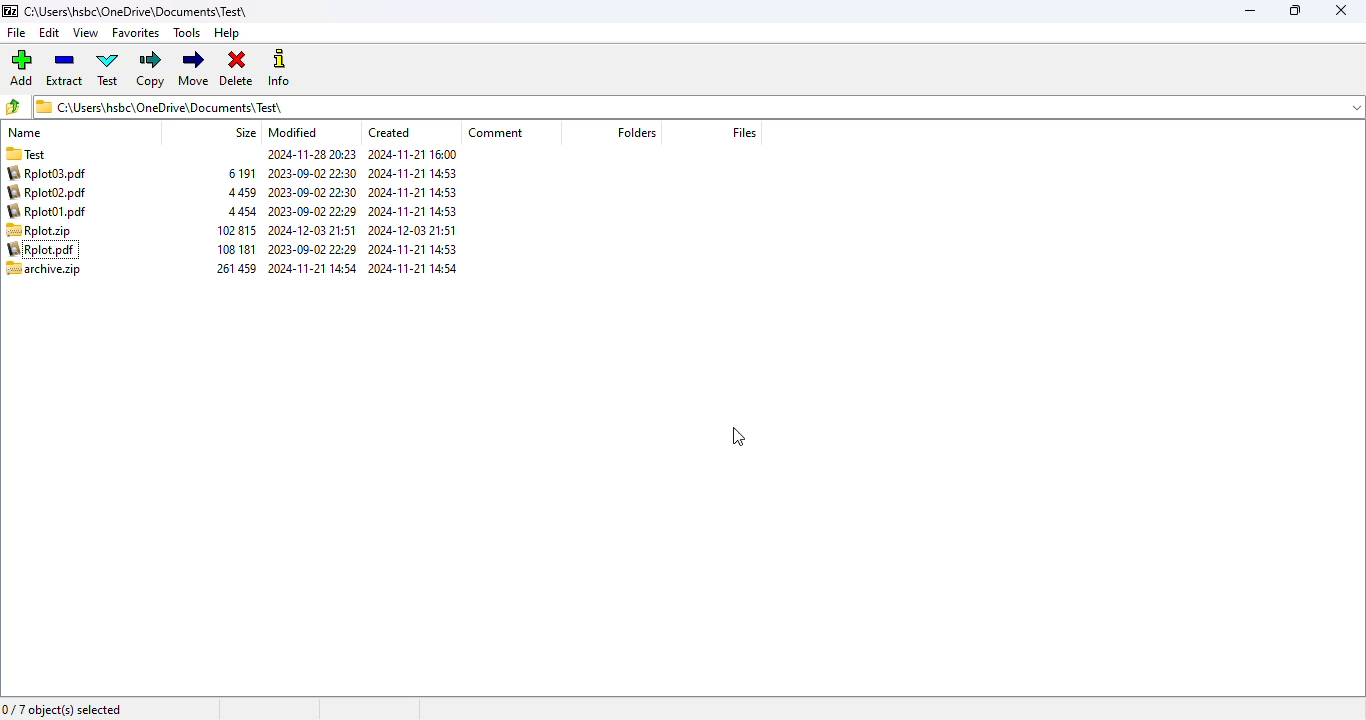 This screenshot has height=720, width=1366. What do you see at coordinates (40, 152) in the screenshot?
I see `folder` at bounding box center [40, 152].